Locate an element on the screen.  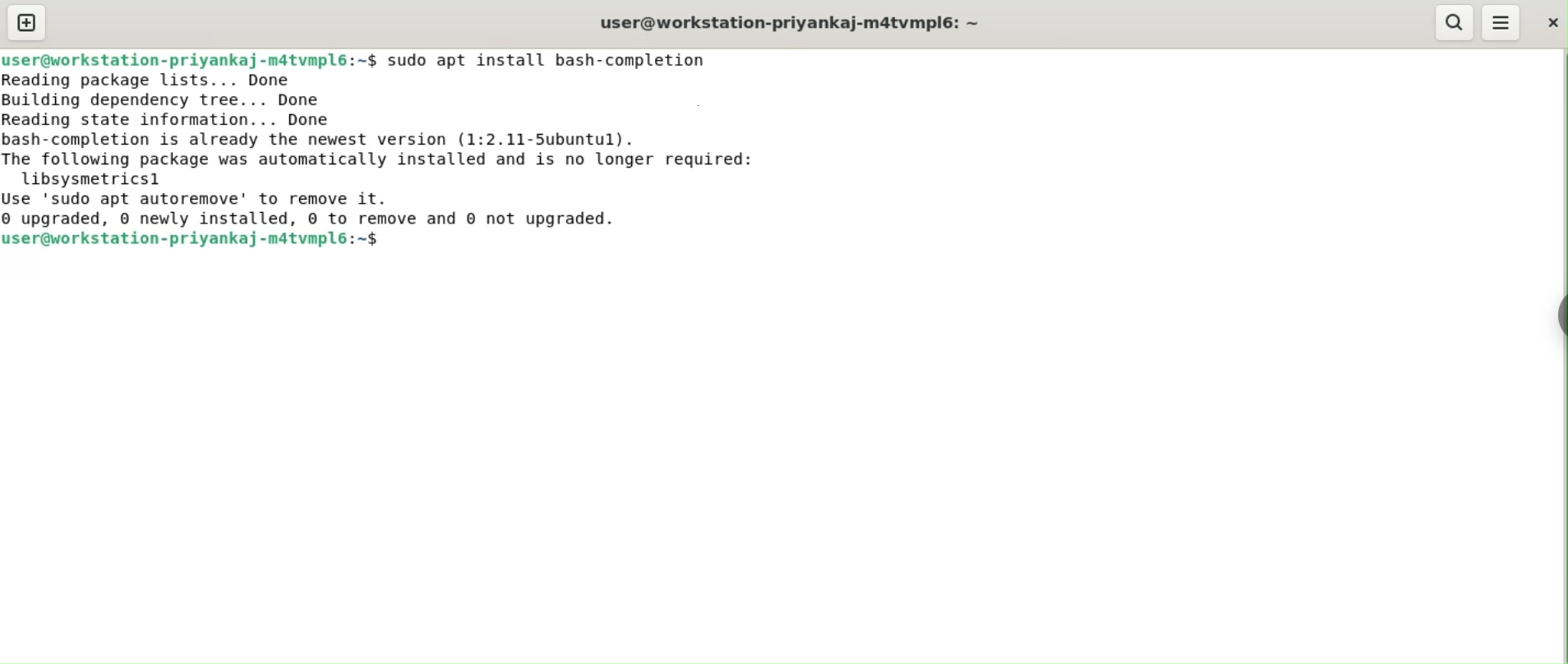
user@workstation-priyankaj-m4tvmpl6: ~ is located at coordinates (823, 27).